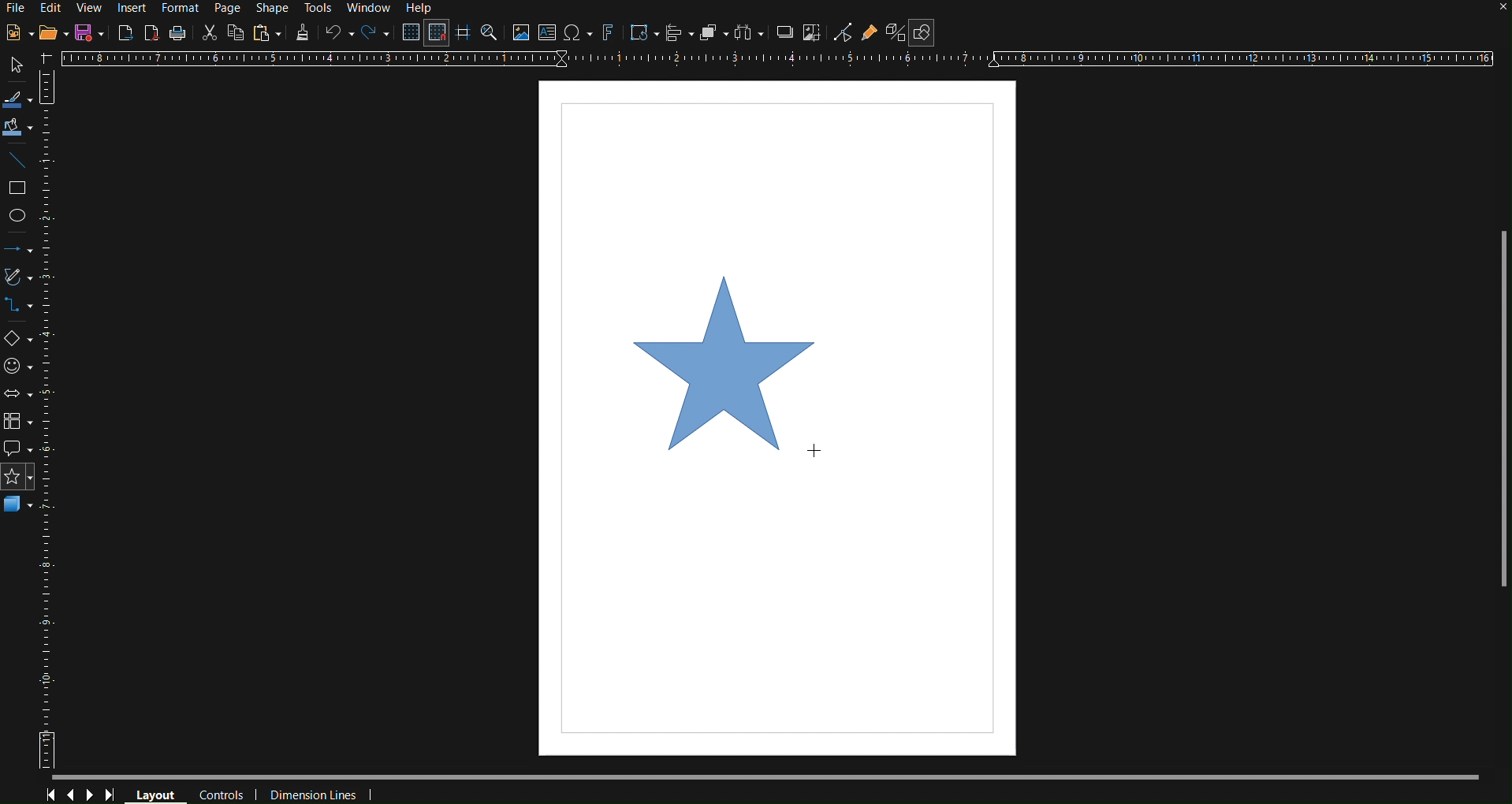 This screenshot has width=1512, height=804. I want to click on File, so click(18, 7).